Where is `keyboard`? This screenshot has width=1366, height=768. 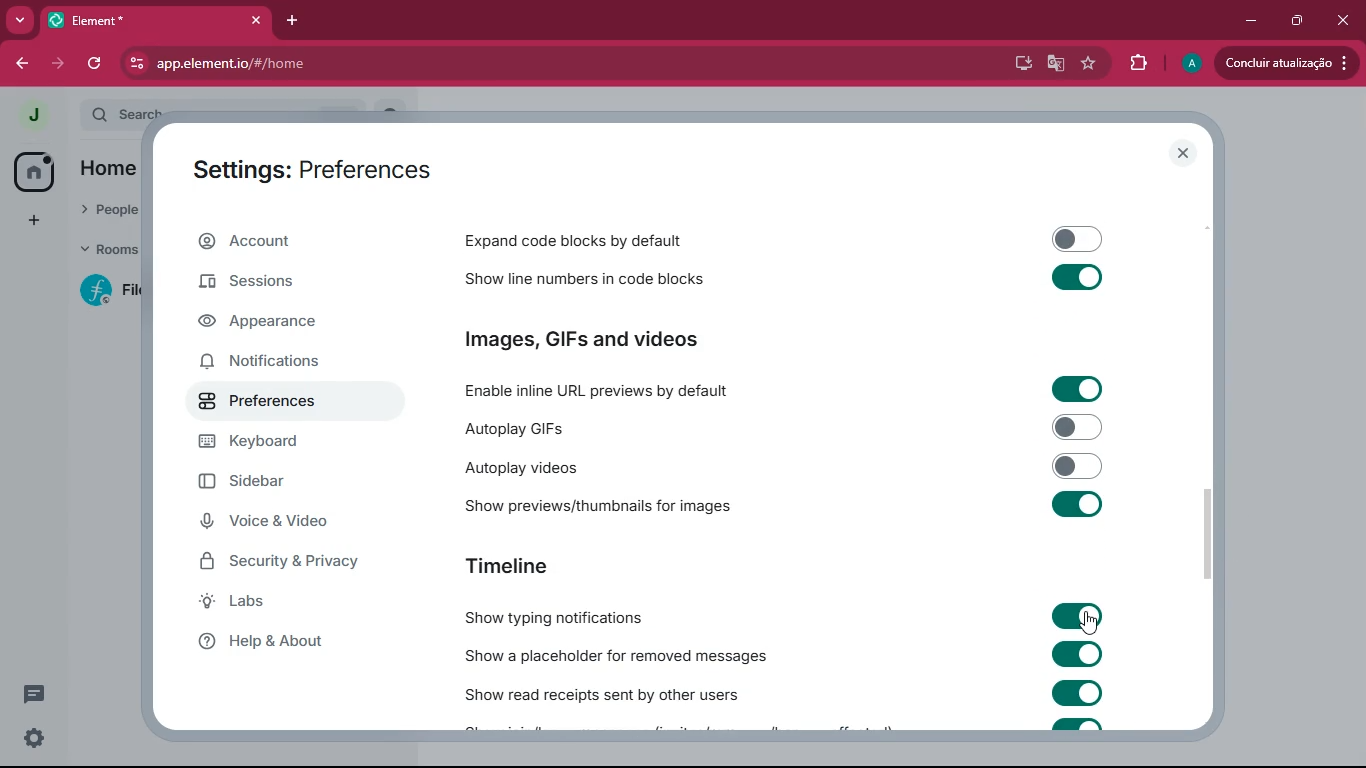
keyboard is located at coordinates (277, 443).